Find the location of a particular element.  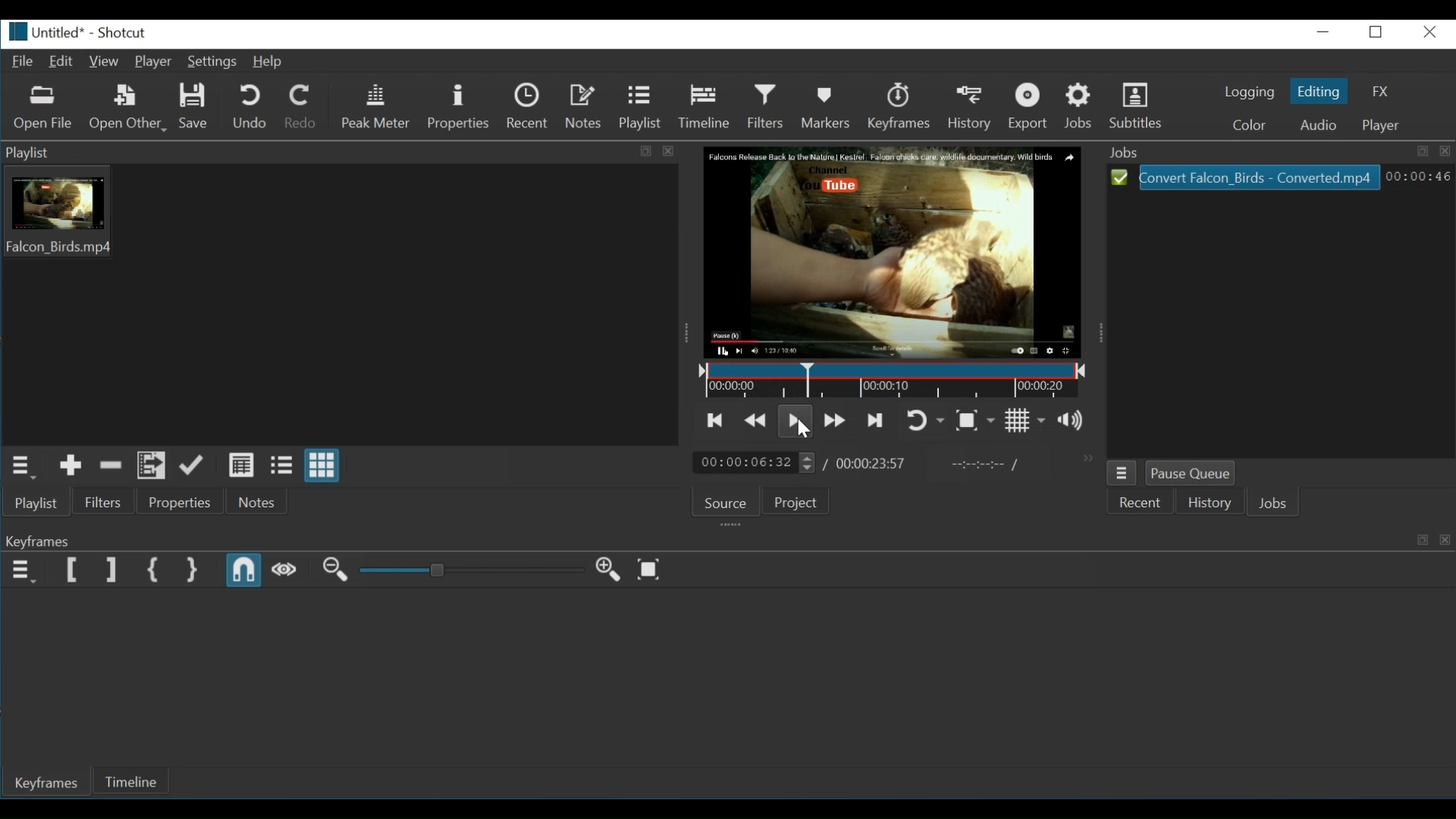

Add files to playlist is located at coordinates (152, 466).